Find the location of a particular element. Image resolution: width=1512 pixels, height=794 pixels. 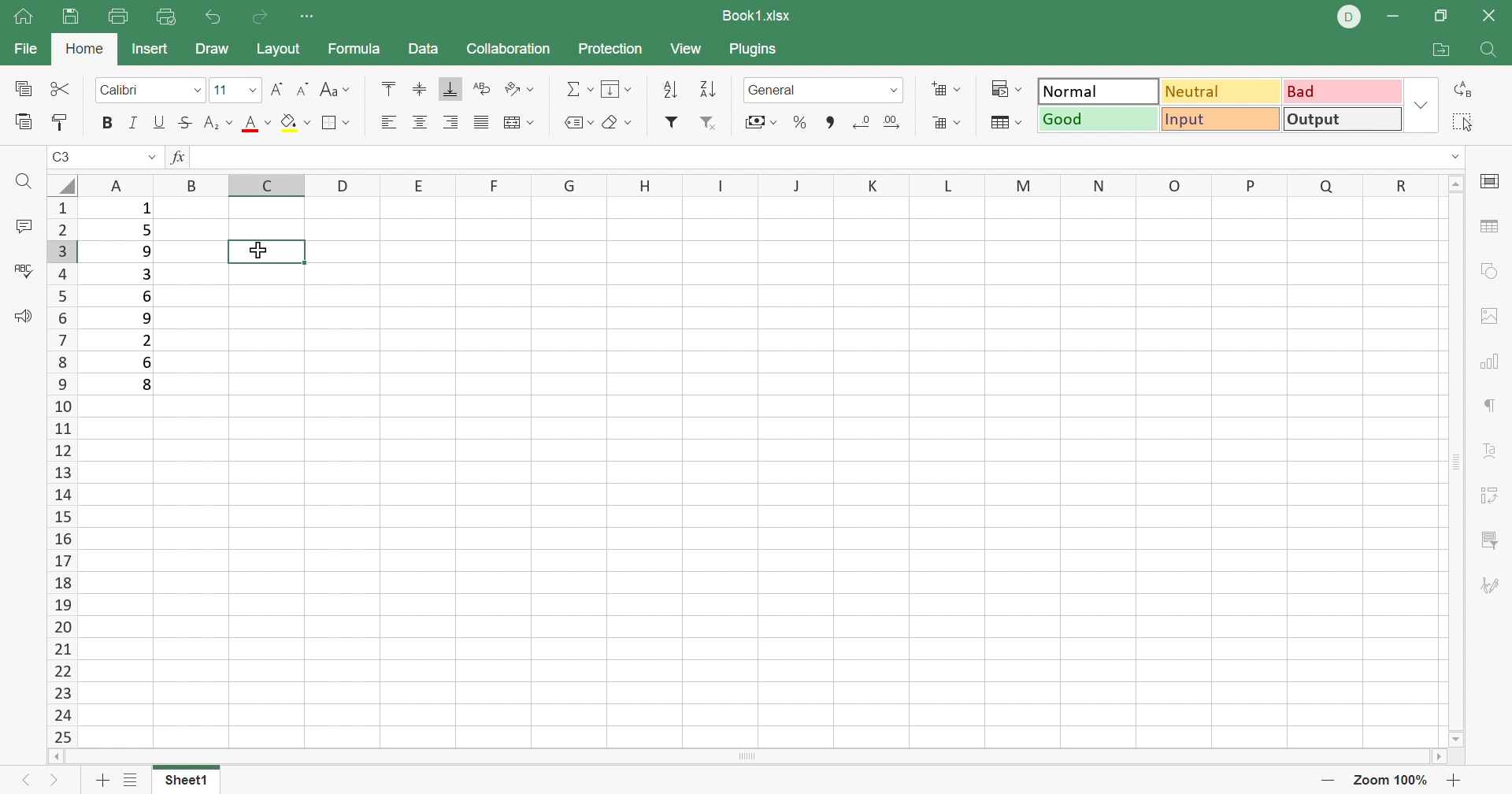

number format is located at coordinates (776, 91).